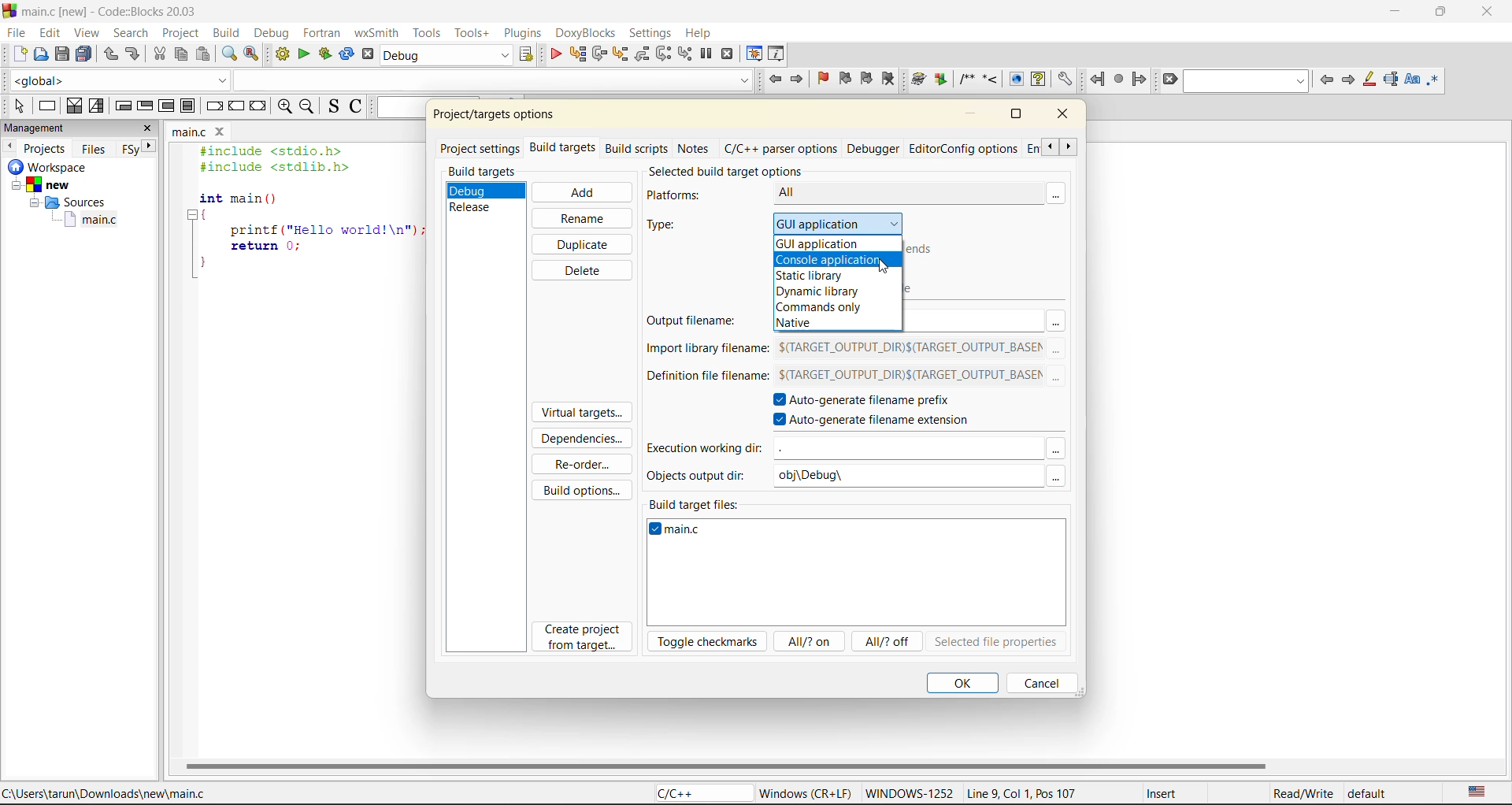 The image size is (1512, 805). What do you see at coordinates (704, 450) in the screenshot?
I see `execution working dir` at bounding box center [704, 450].